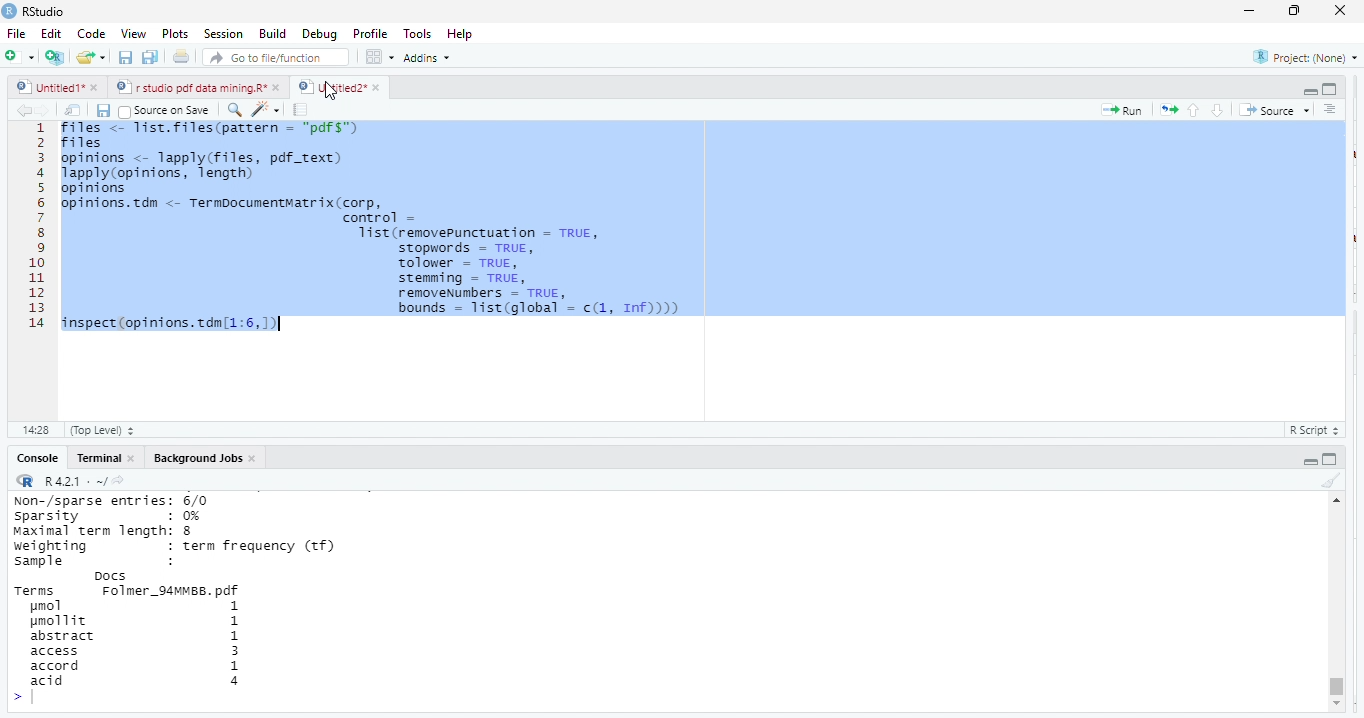 The height and width of the screenshot is (718, 1364). What do you see at coordinates (92, 59) in the screenshot?
I see `open an existing file` at bounding box center [92, 59].